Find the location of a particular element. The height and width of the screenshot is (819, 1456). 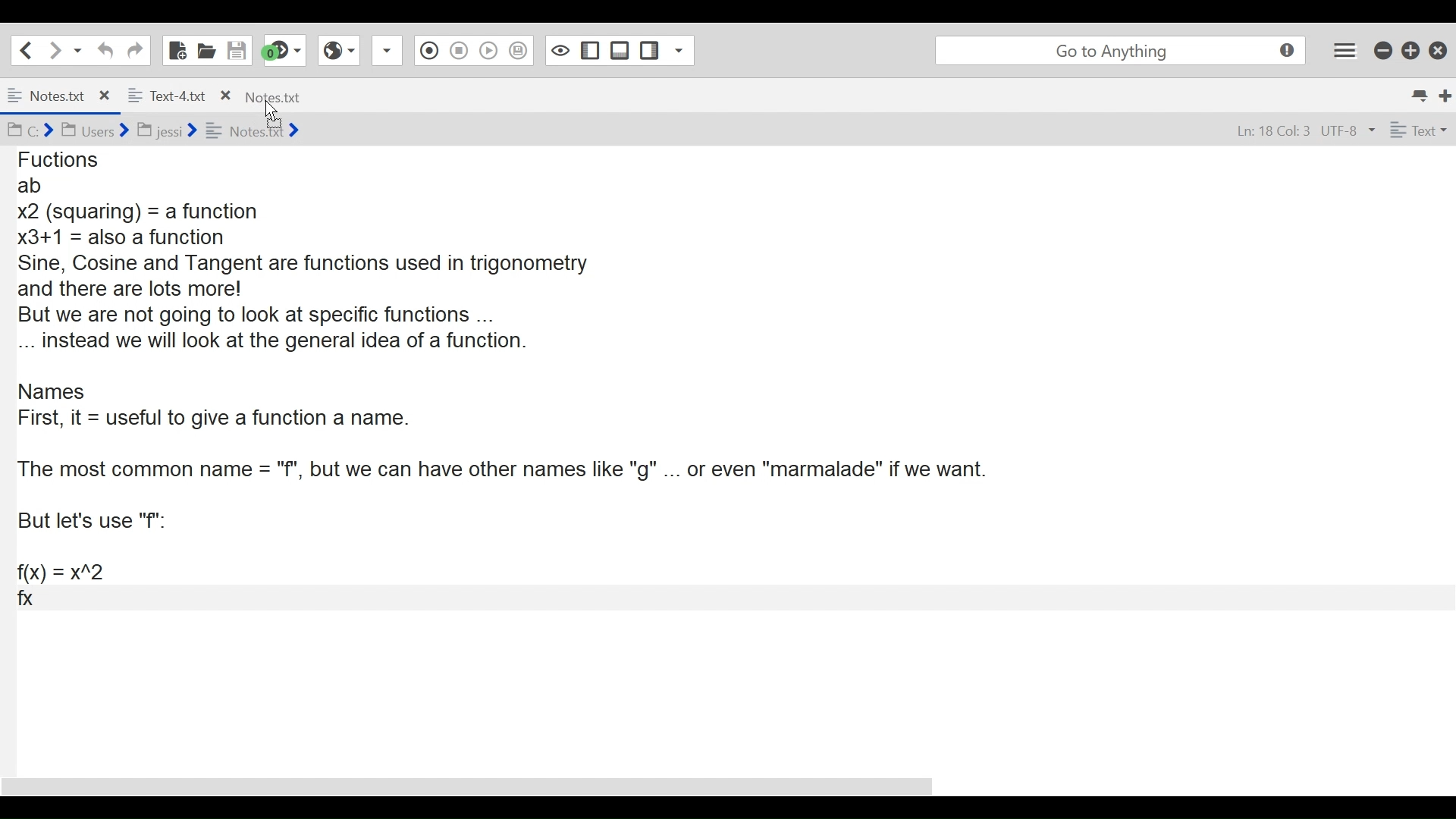

jessi is located at coordinates (168, 127).